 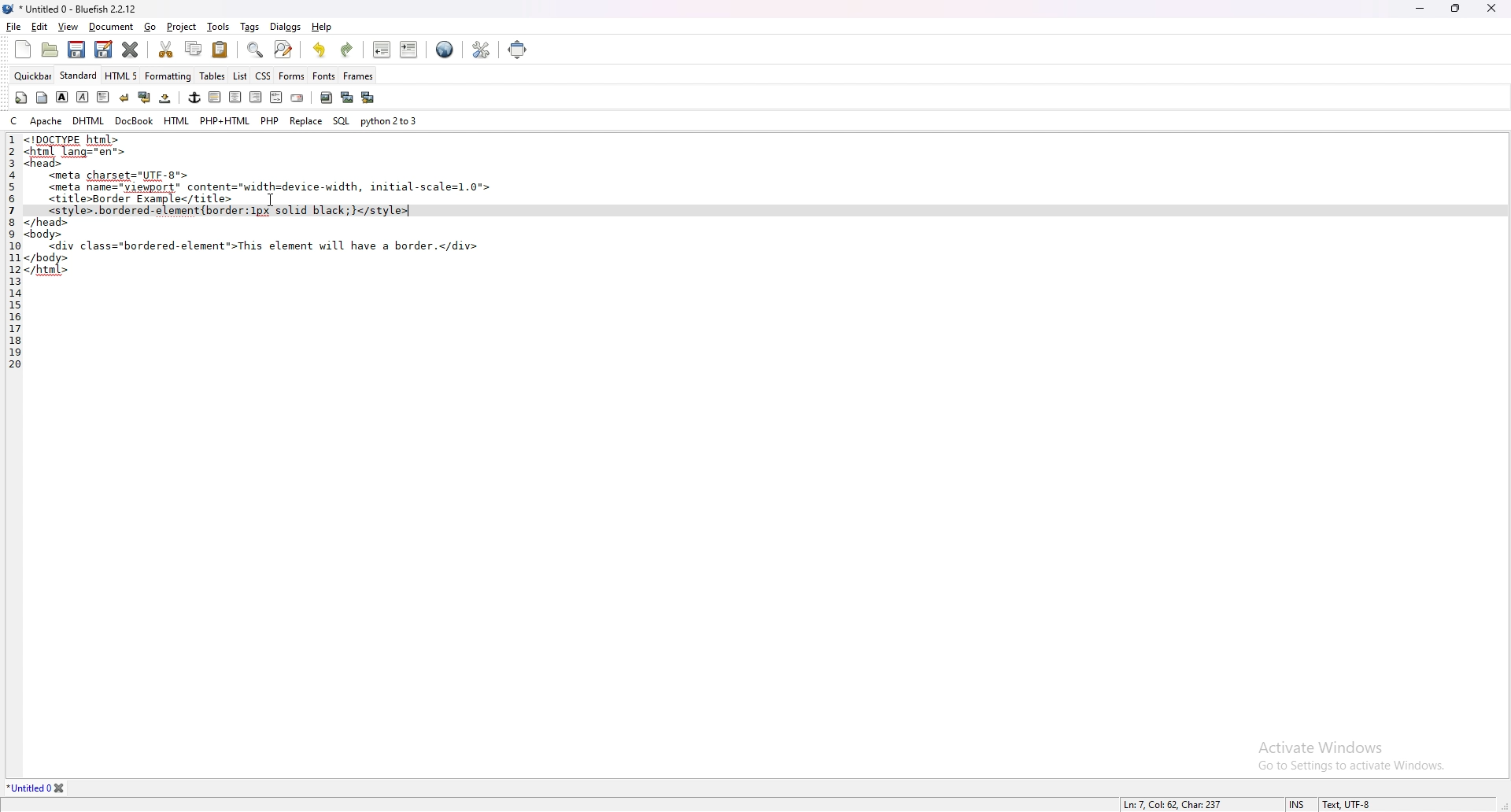 What do you see at coordinates (445, 50) in the screenshot?
I see `edit in browser` at bounding box center [445, 50].